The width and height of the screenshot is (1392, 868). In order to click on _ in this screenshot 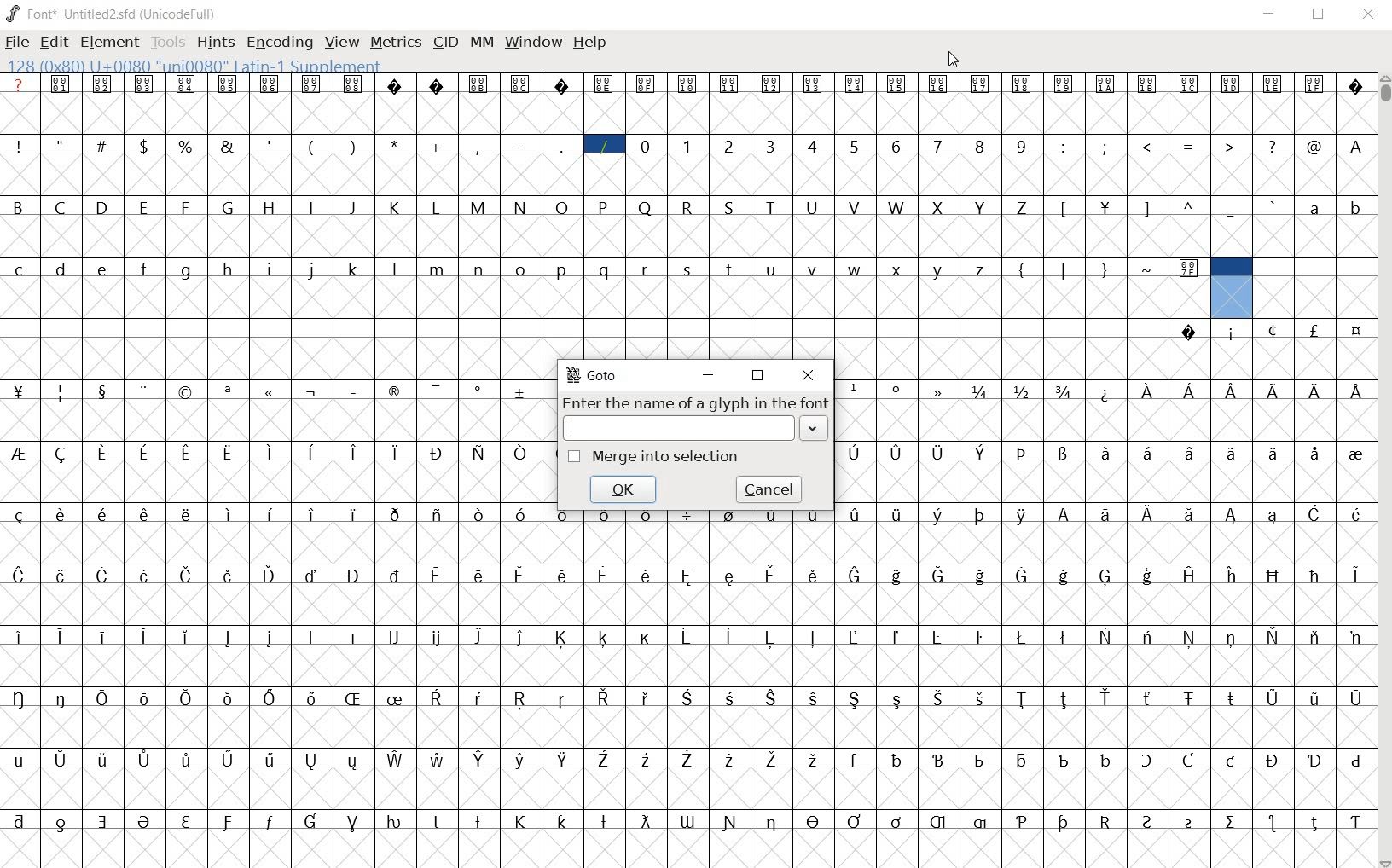, I will do `click(1232, 208)`.